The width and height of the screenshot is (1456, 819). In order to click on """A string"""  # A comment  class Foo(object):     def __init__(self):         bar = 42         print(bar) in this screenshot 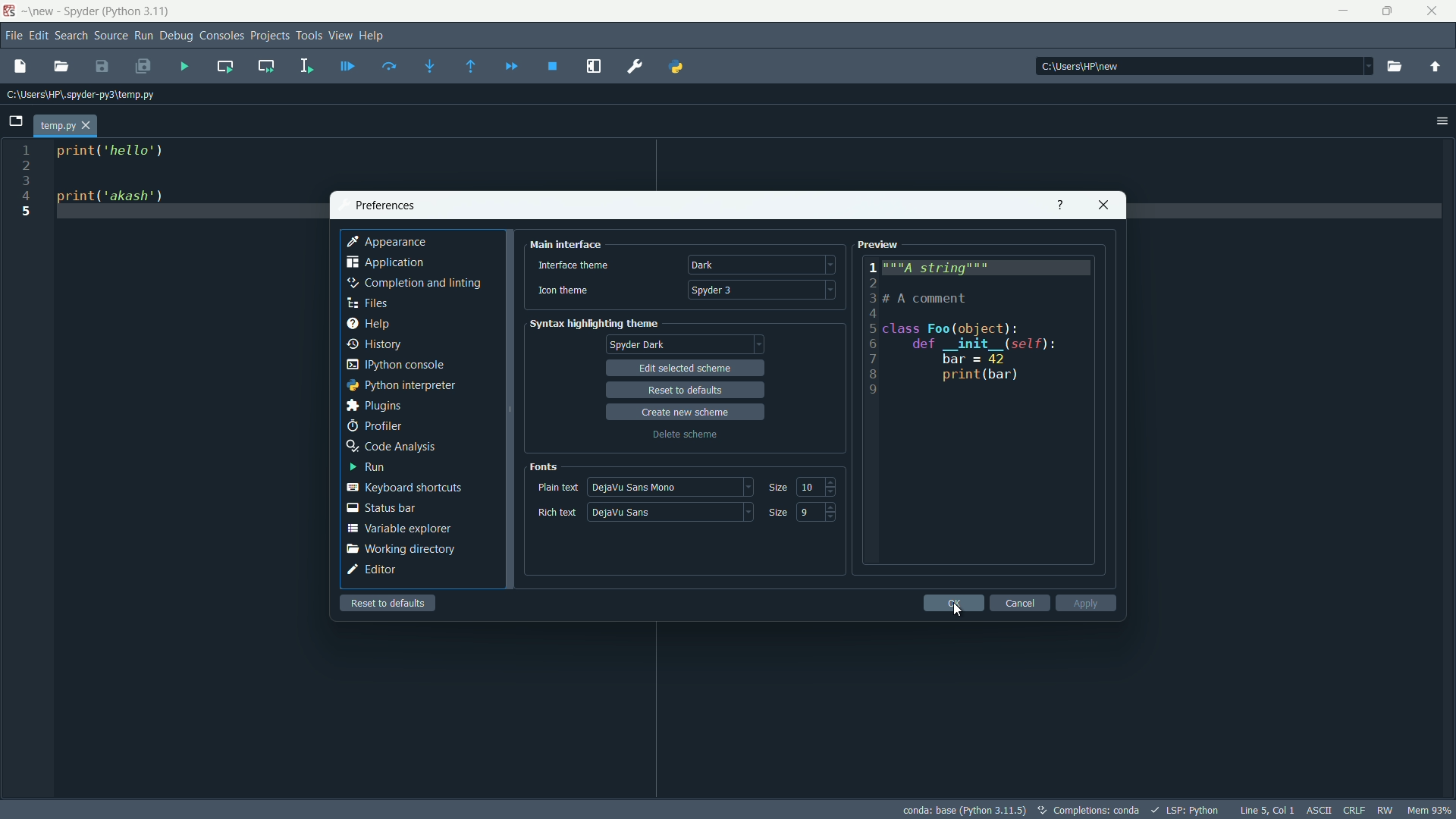, I will do `click(992, 331)`.